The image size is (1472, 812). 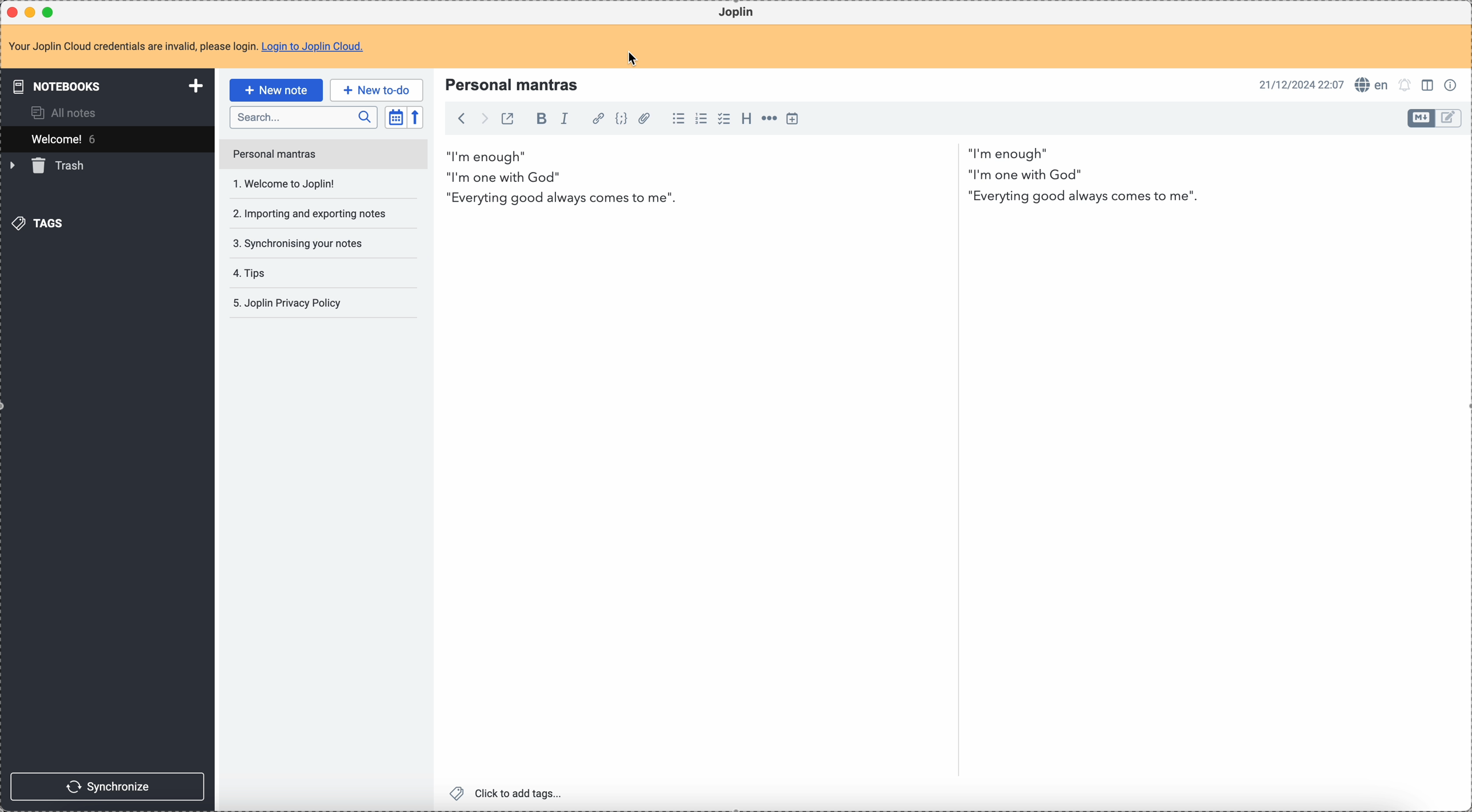 I want to click on importing and exporting notes, so click(x=317, y=216).